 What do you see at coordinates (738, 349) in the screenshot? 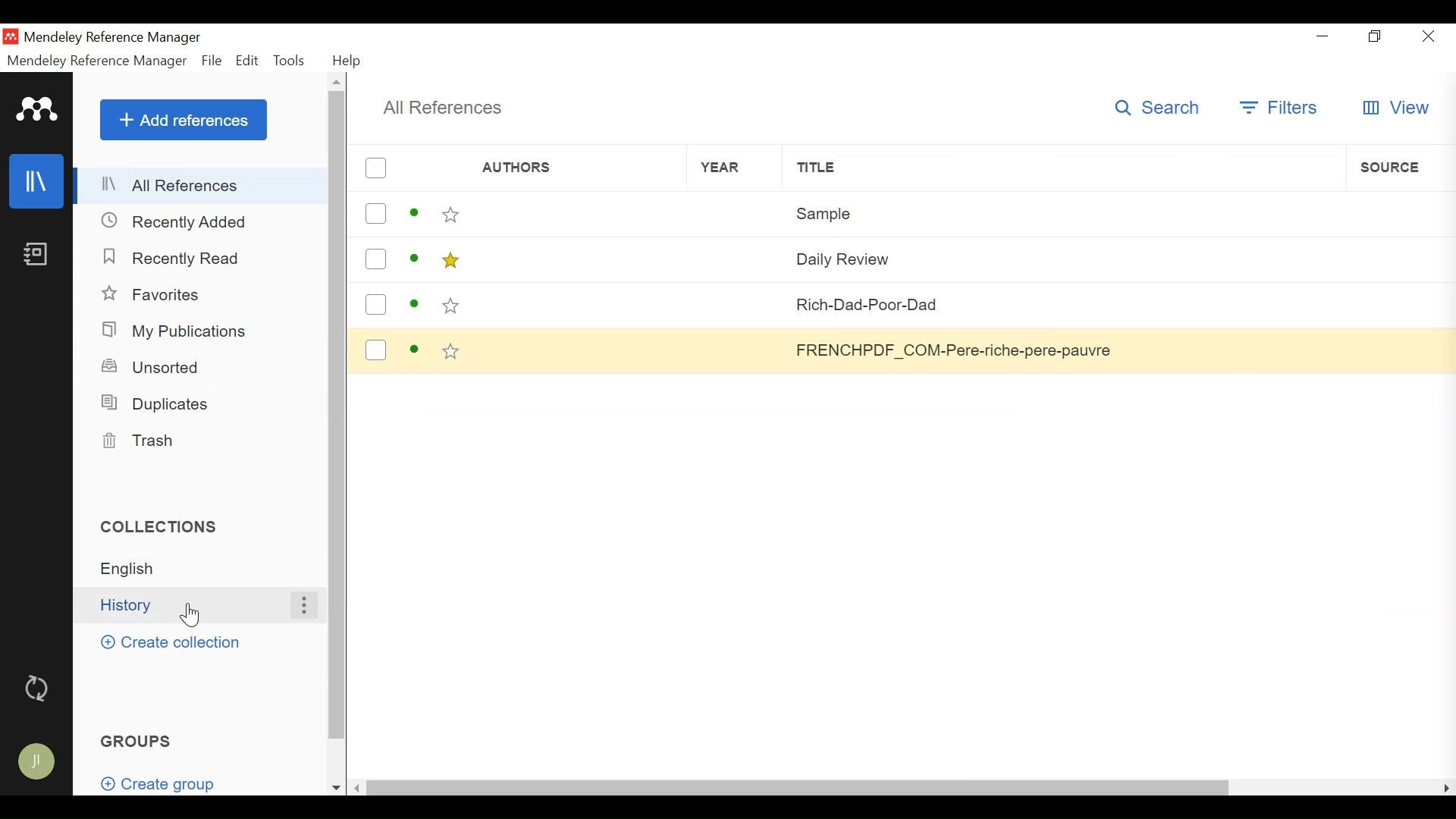
I see `Year` at bounding box center [738, 349].